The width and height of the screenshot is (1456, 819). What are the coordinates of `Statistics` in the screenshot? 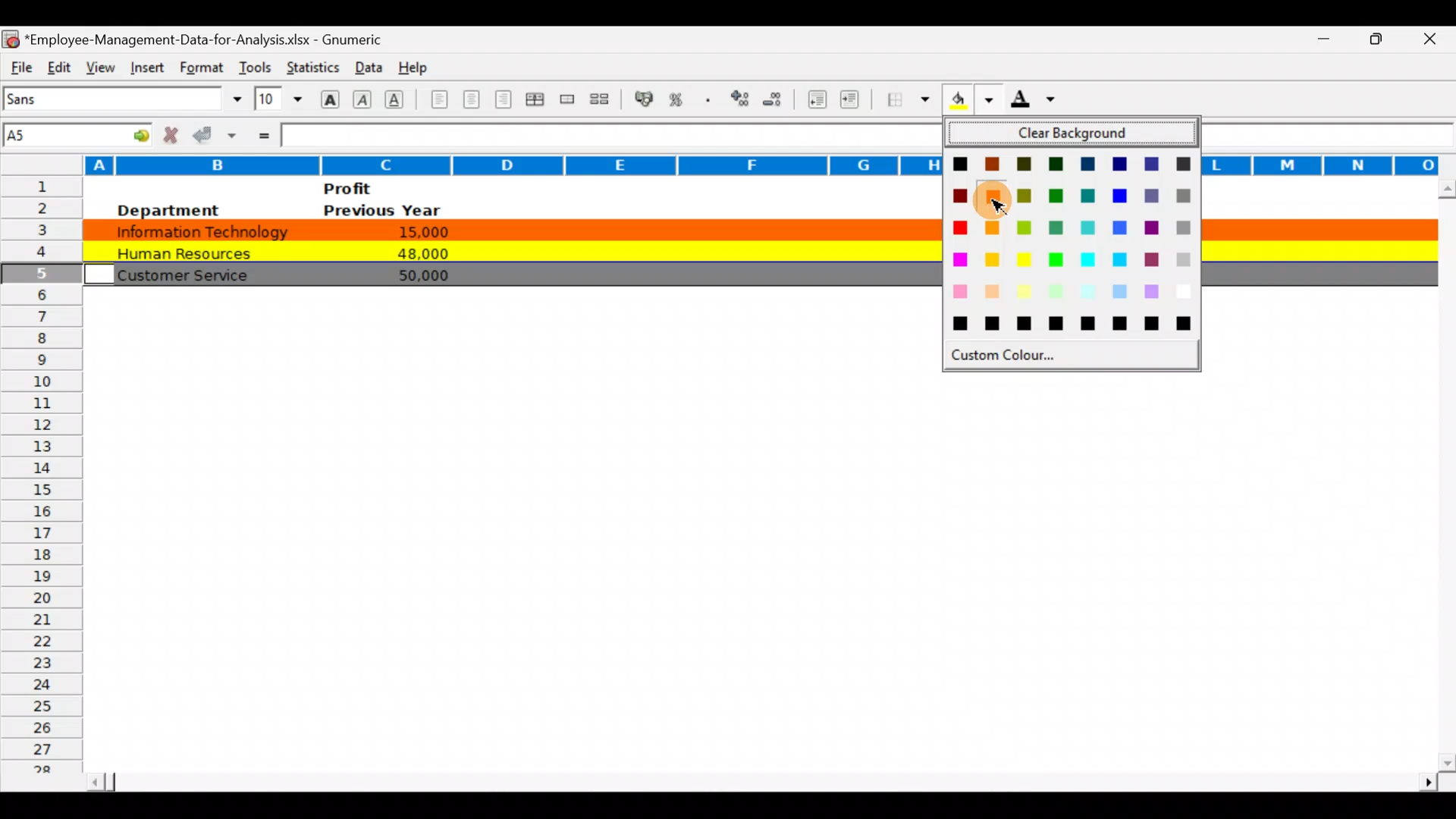 It's located at (311, 64).